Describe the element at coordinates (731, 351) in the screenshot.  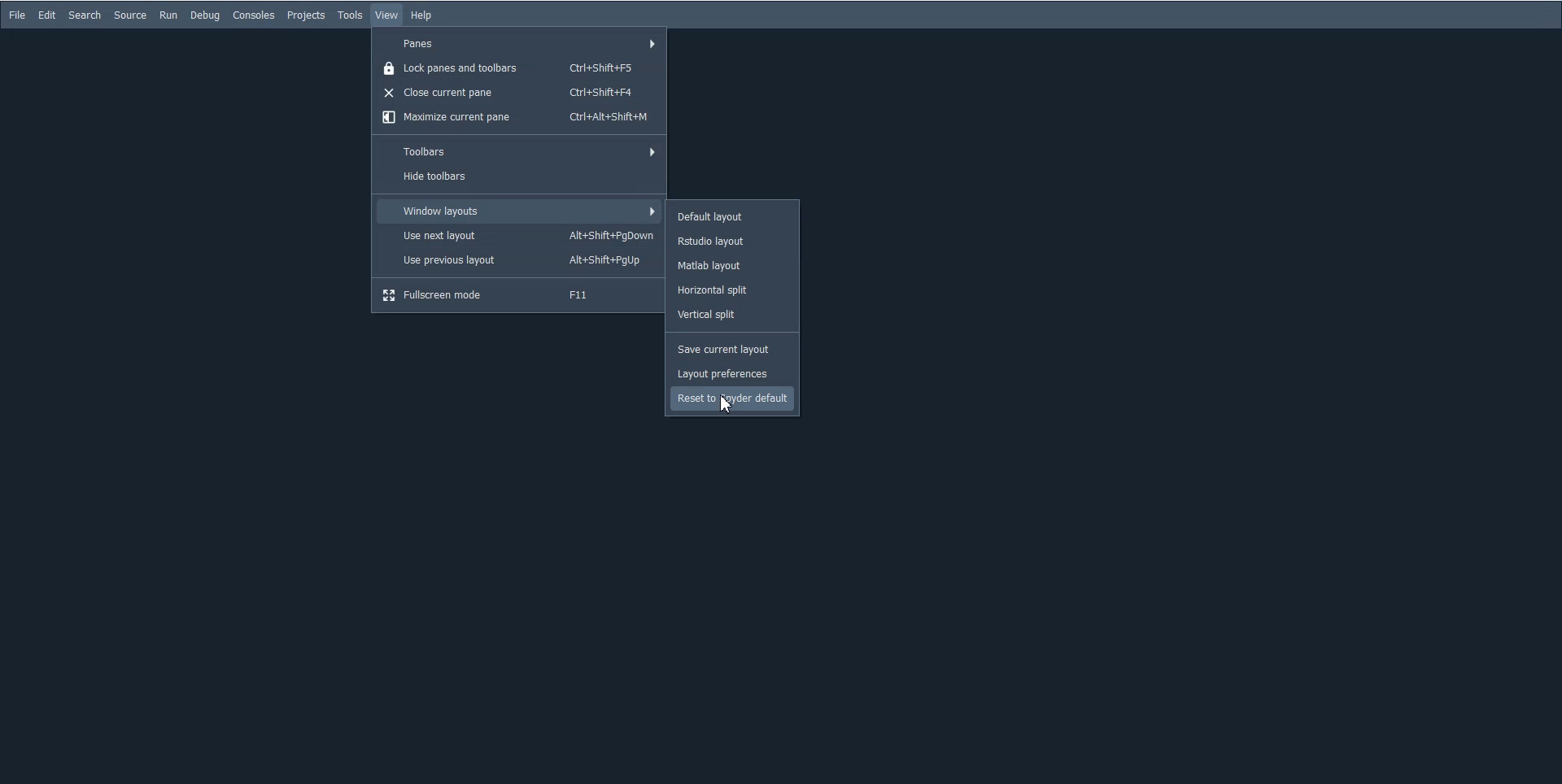
I see `Save current layout` at that location.